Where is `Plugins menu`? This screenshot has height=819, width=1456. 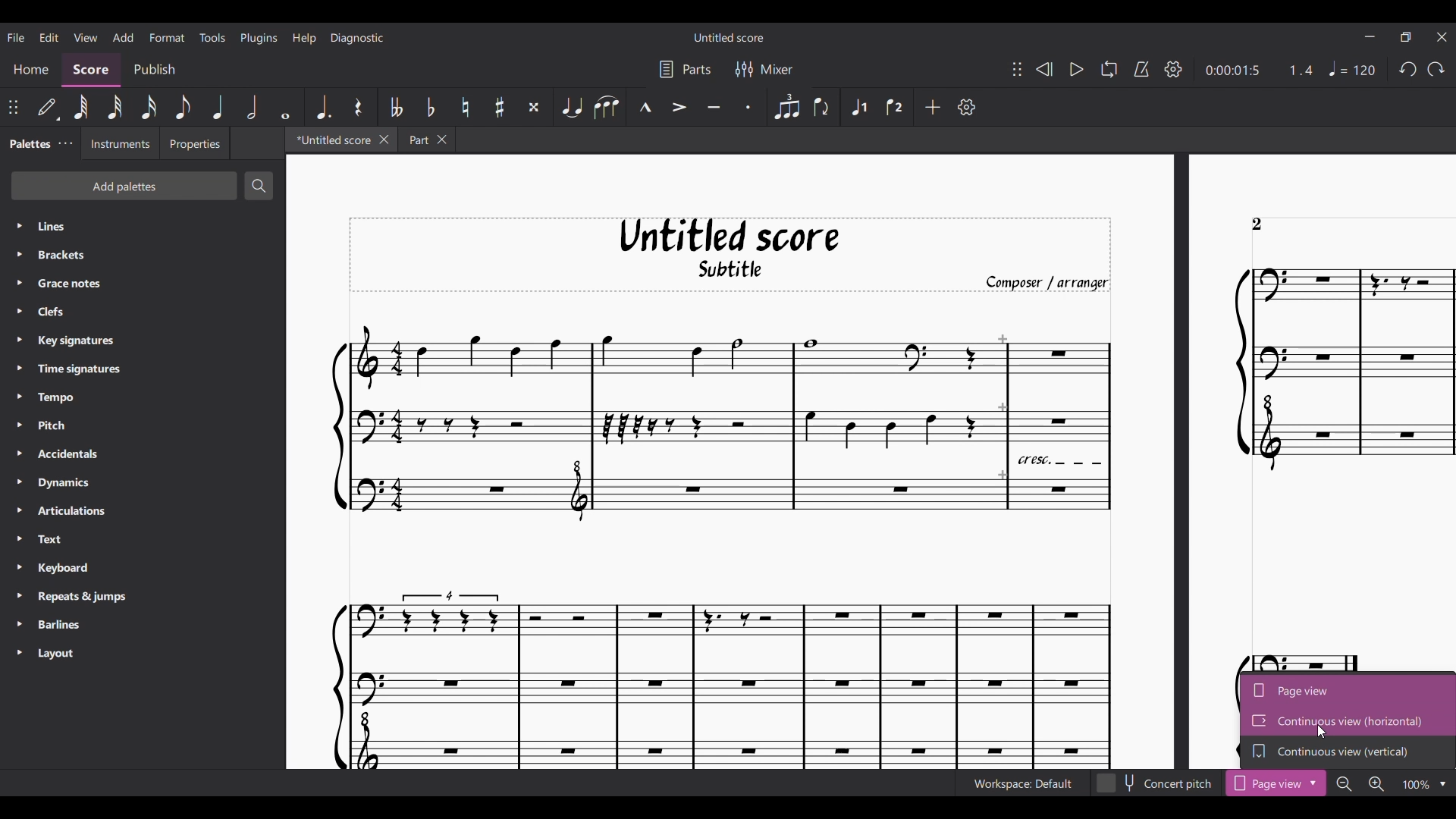 Plugins menu is located at coordinates (259, 38).